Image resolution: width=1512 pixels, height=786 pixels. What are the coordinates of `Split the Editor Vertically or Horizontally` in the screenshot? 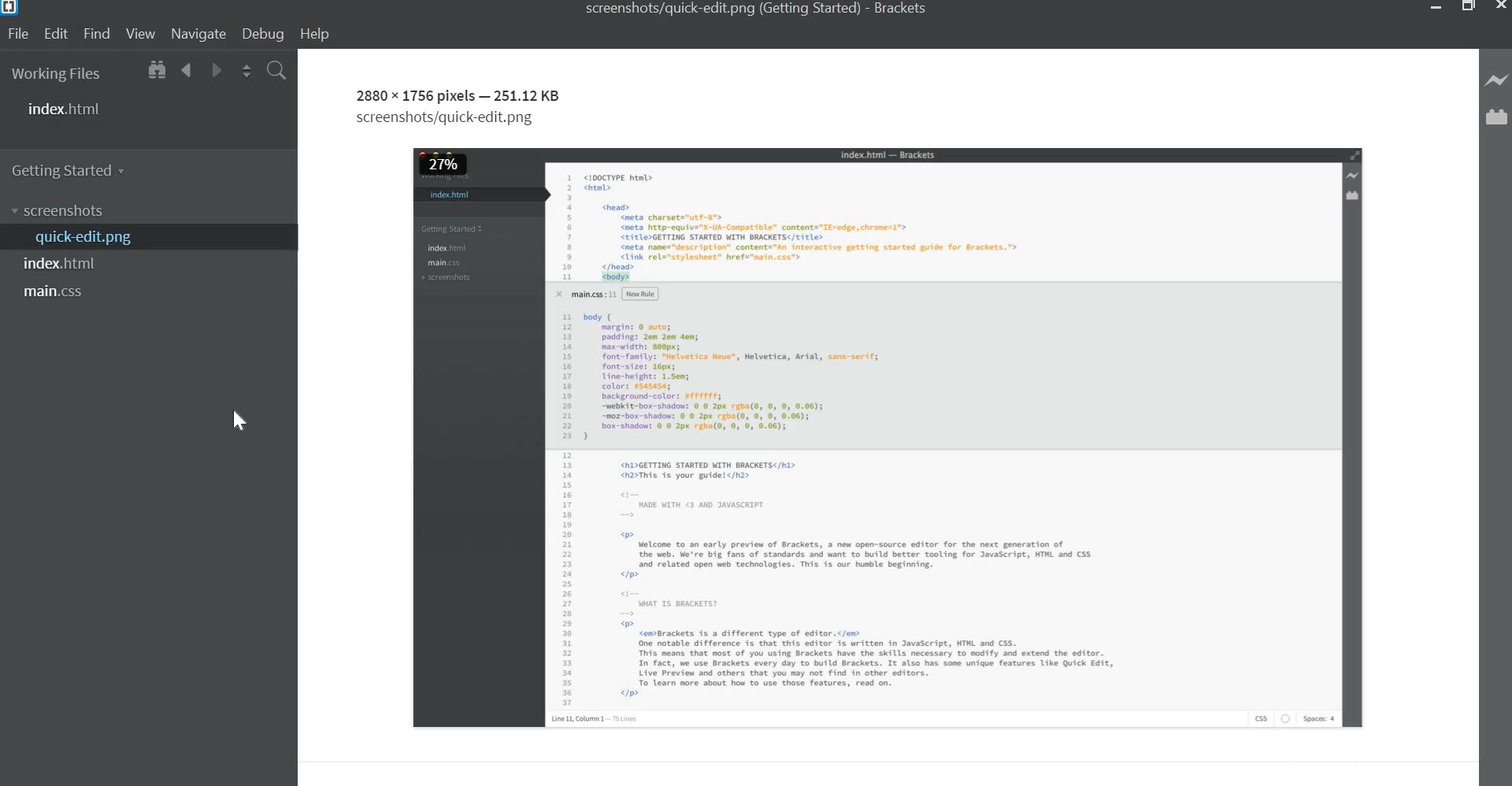 It's located at (246, 72).